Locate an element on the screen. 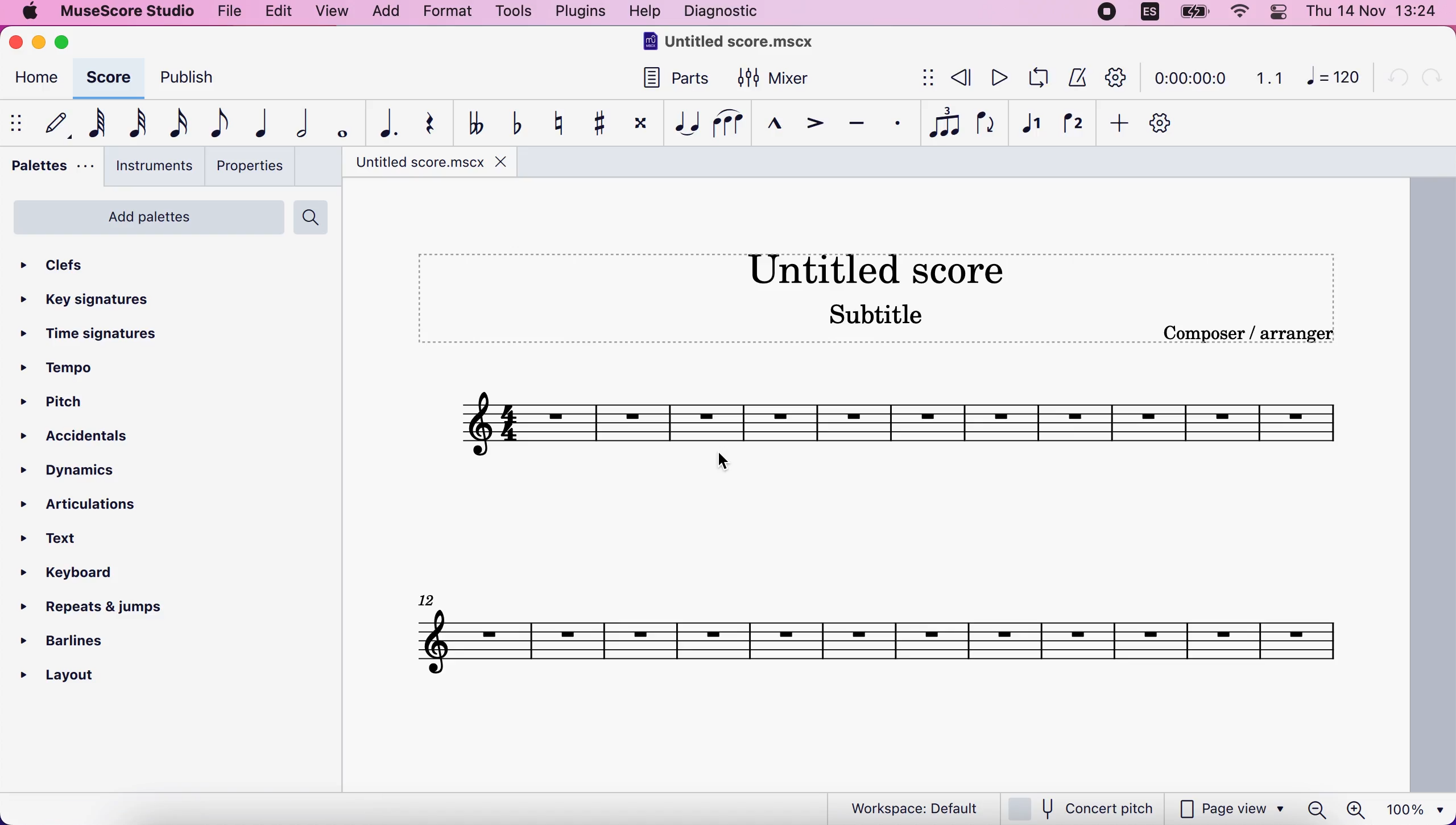 The height and width of the screenshot is (825, 1456). marccato is located at coordinates (770, 124).